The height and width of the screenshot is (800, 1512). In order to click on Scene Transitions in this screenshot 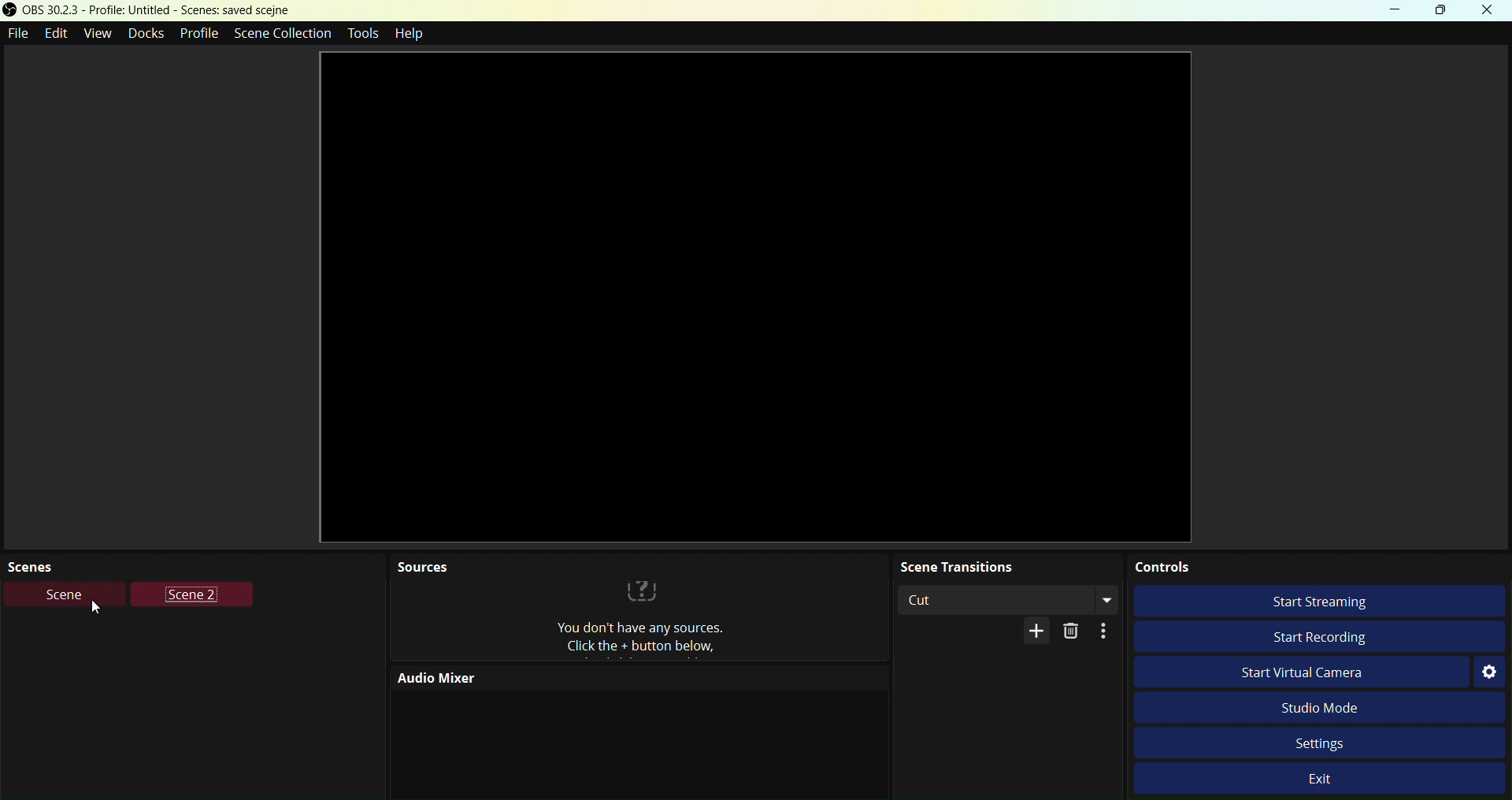, I will do `click(1003, 565)`.